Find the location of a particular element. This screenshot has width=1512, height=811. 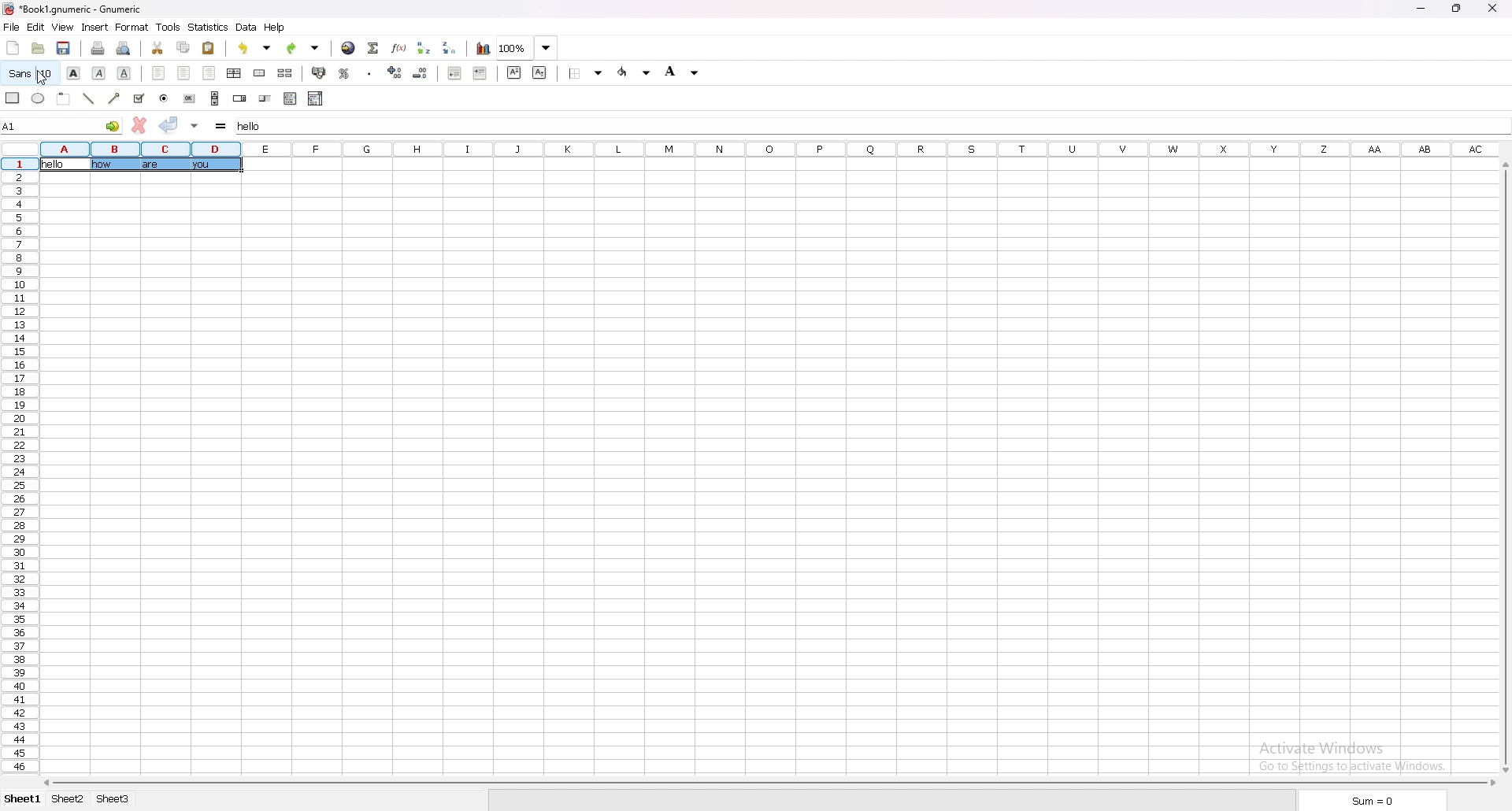

print preview is located at coordinates (124, 47).